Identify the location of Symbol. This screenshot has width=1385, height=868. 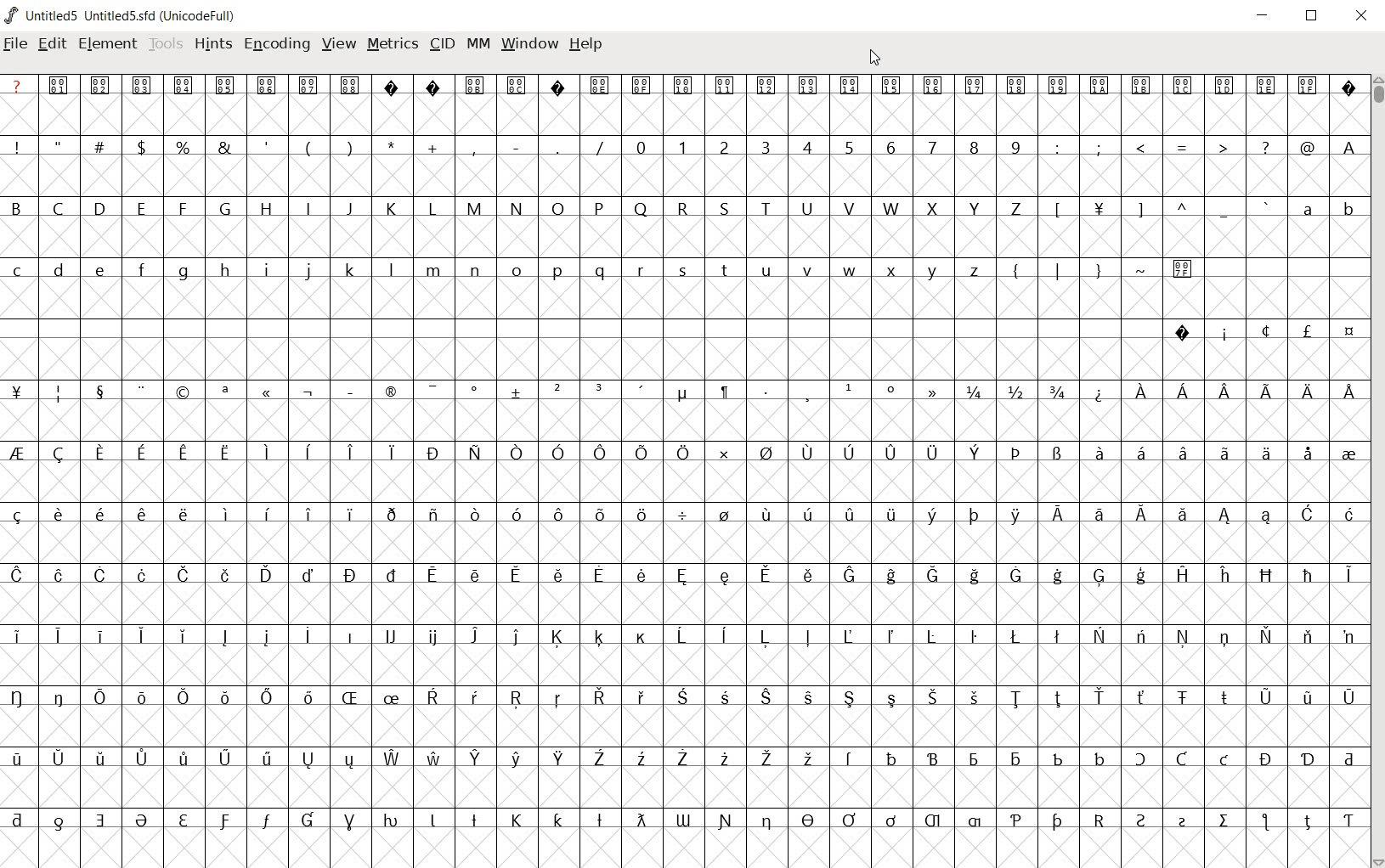
(1183, 87).